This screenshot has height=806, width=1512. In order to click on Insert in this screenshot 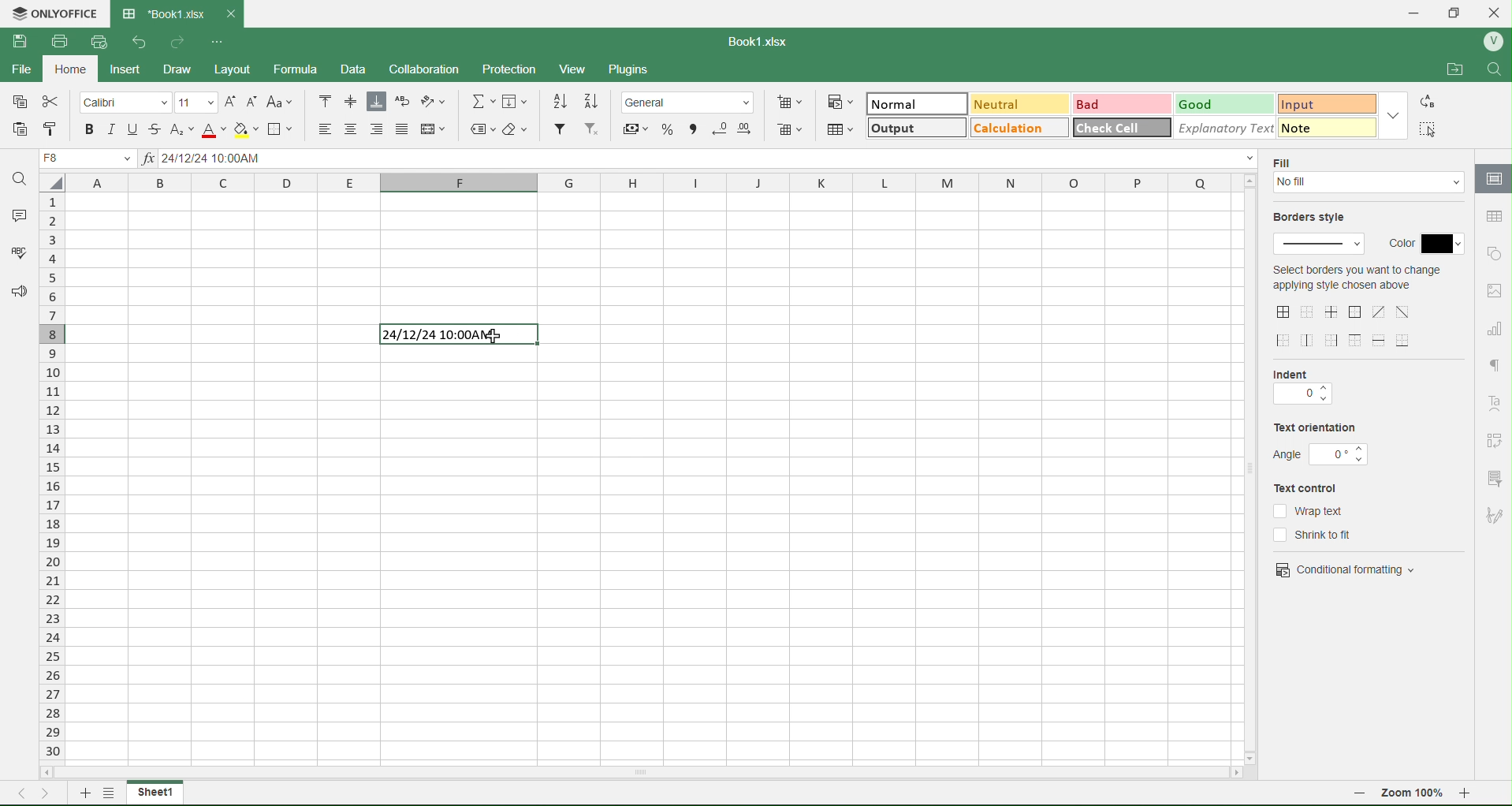, I will do `click(136, 69)`.